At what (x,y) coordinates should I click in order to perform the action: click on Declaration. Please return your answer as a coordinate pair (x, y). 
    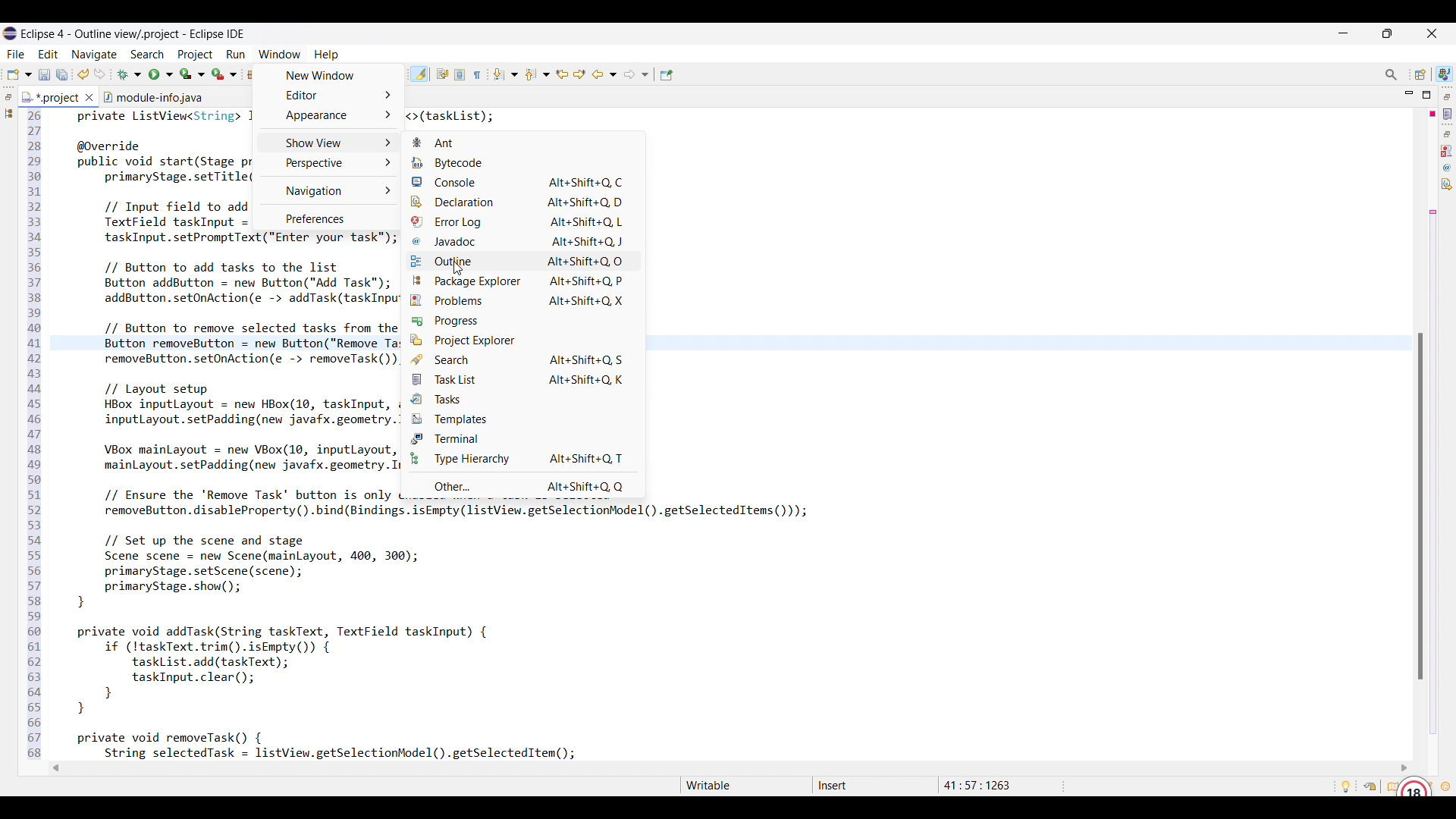
    Looking at the image, I should click on (1447, 184).